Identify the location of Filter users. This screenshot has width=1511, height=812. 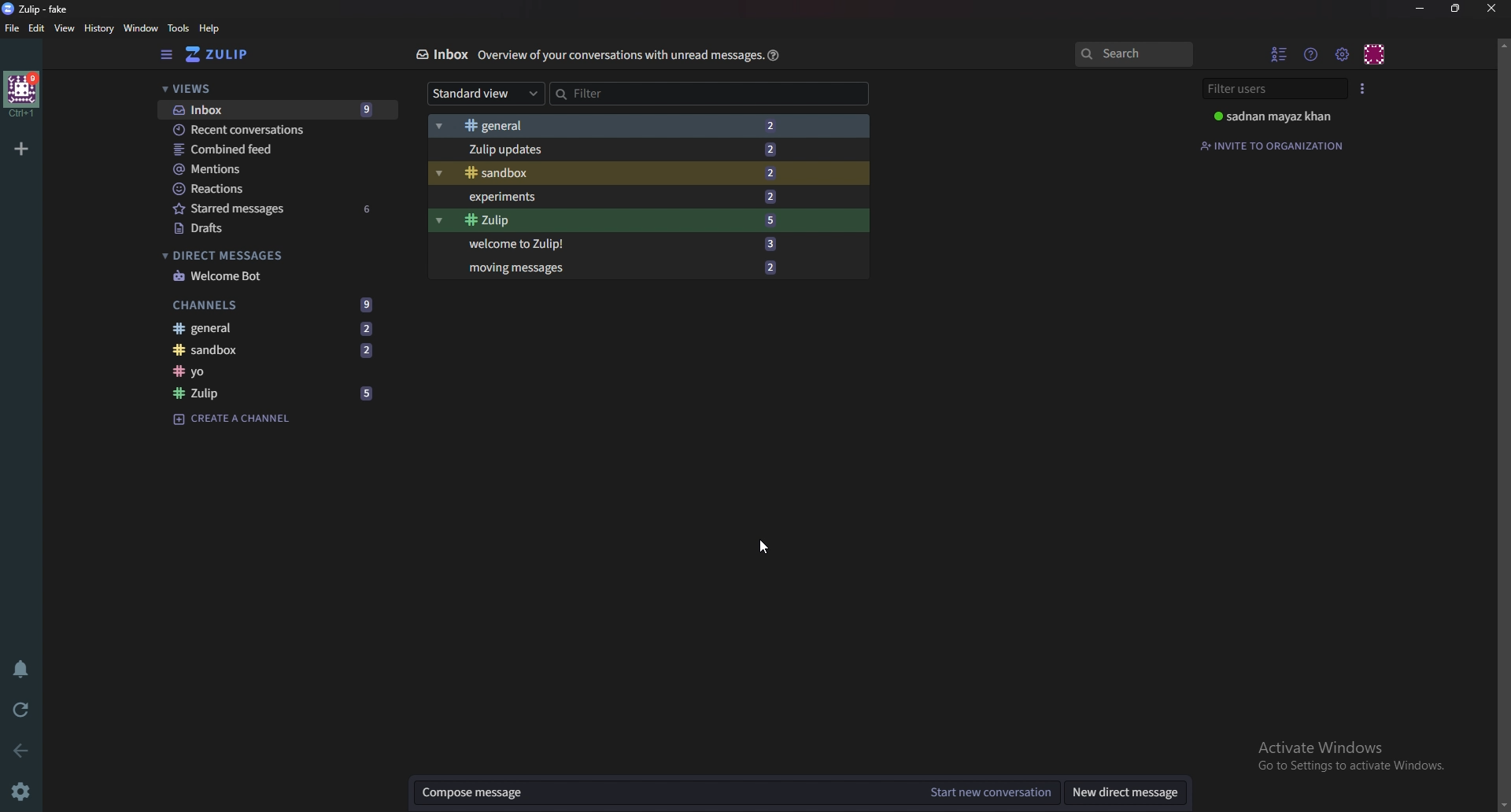
(1273, 90).